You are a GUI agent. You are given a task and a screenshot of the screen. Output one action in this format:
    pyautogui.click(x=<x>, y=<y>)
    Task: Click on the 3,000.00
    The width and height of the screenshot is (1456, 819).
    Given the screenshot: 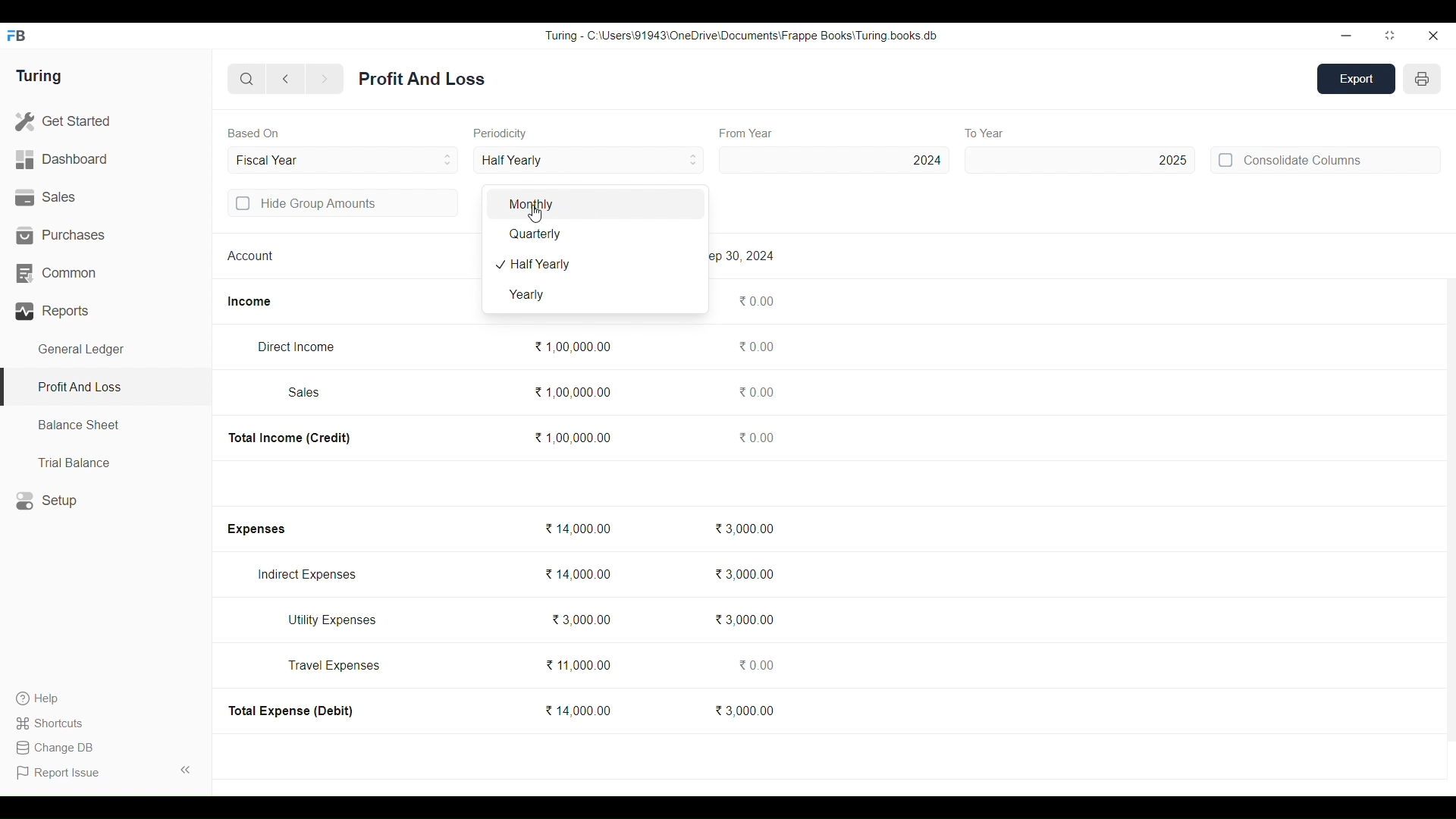 What is the action you would take?
    pyautogui.click(x=743, y=620)
    